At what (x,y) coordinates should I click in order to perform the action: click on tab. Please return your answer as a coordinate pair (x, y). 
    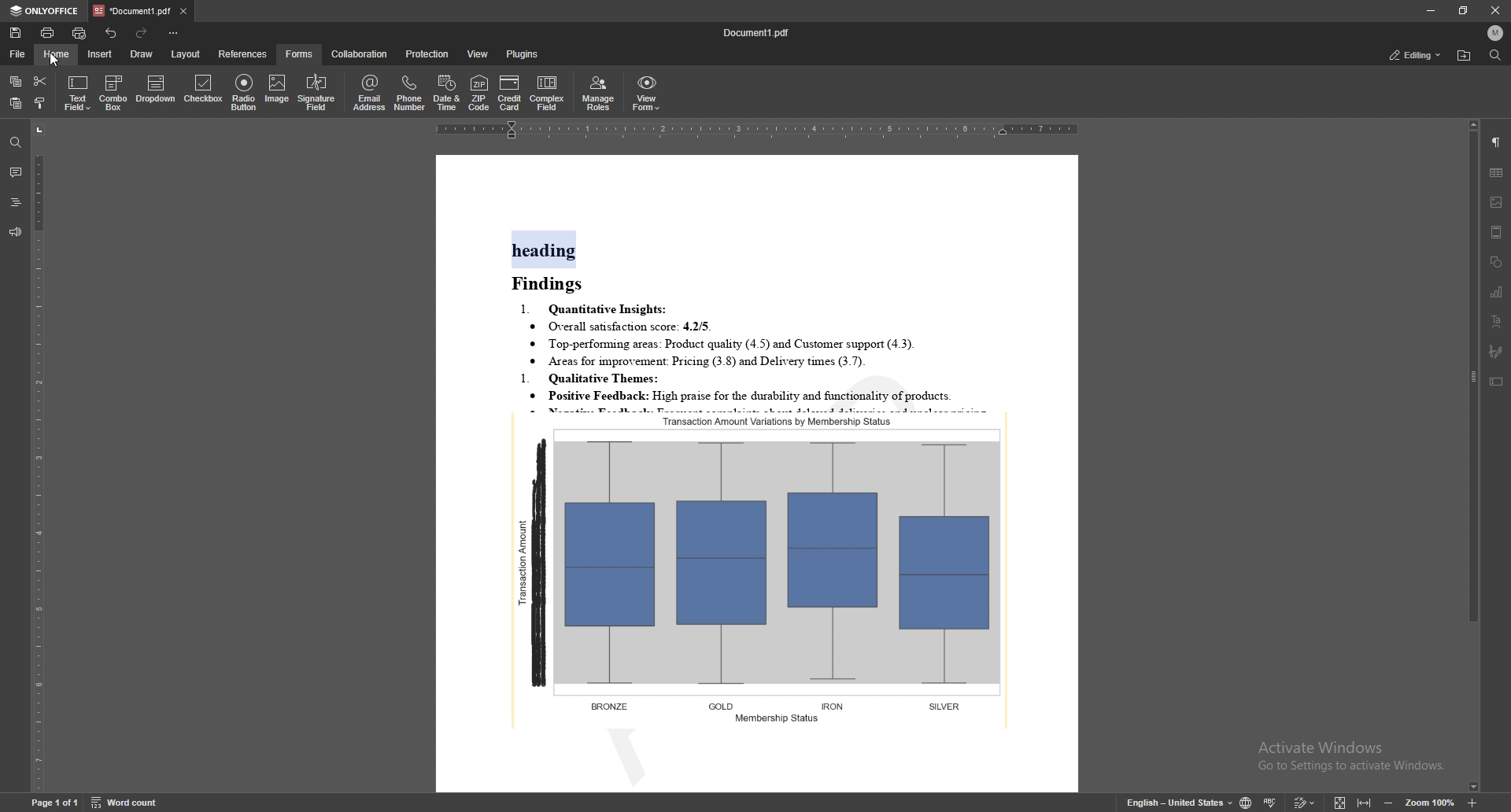
    Looking at the image, I should click on (131, 10).